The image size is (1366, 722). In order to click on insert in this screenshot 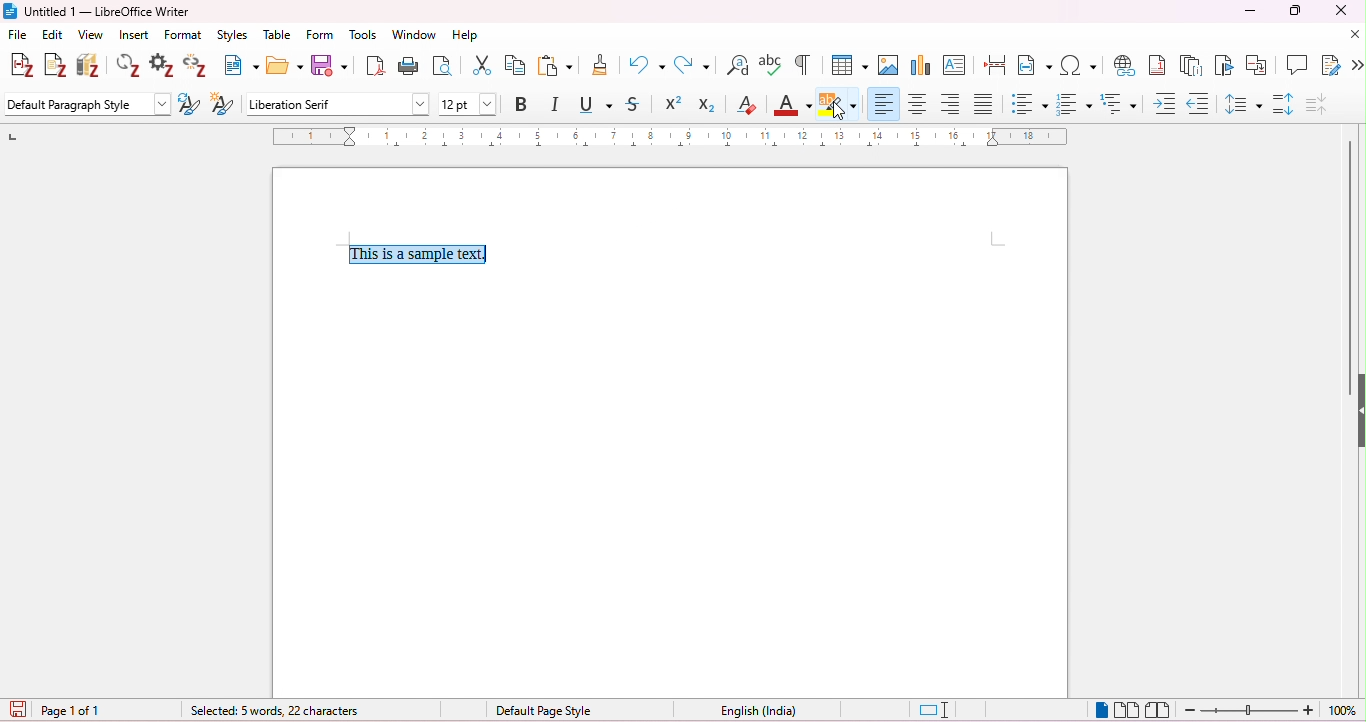, I will do `click(136, 35)`.